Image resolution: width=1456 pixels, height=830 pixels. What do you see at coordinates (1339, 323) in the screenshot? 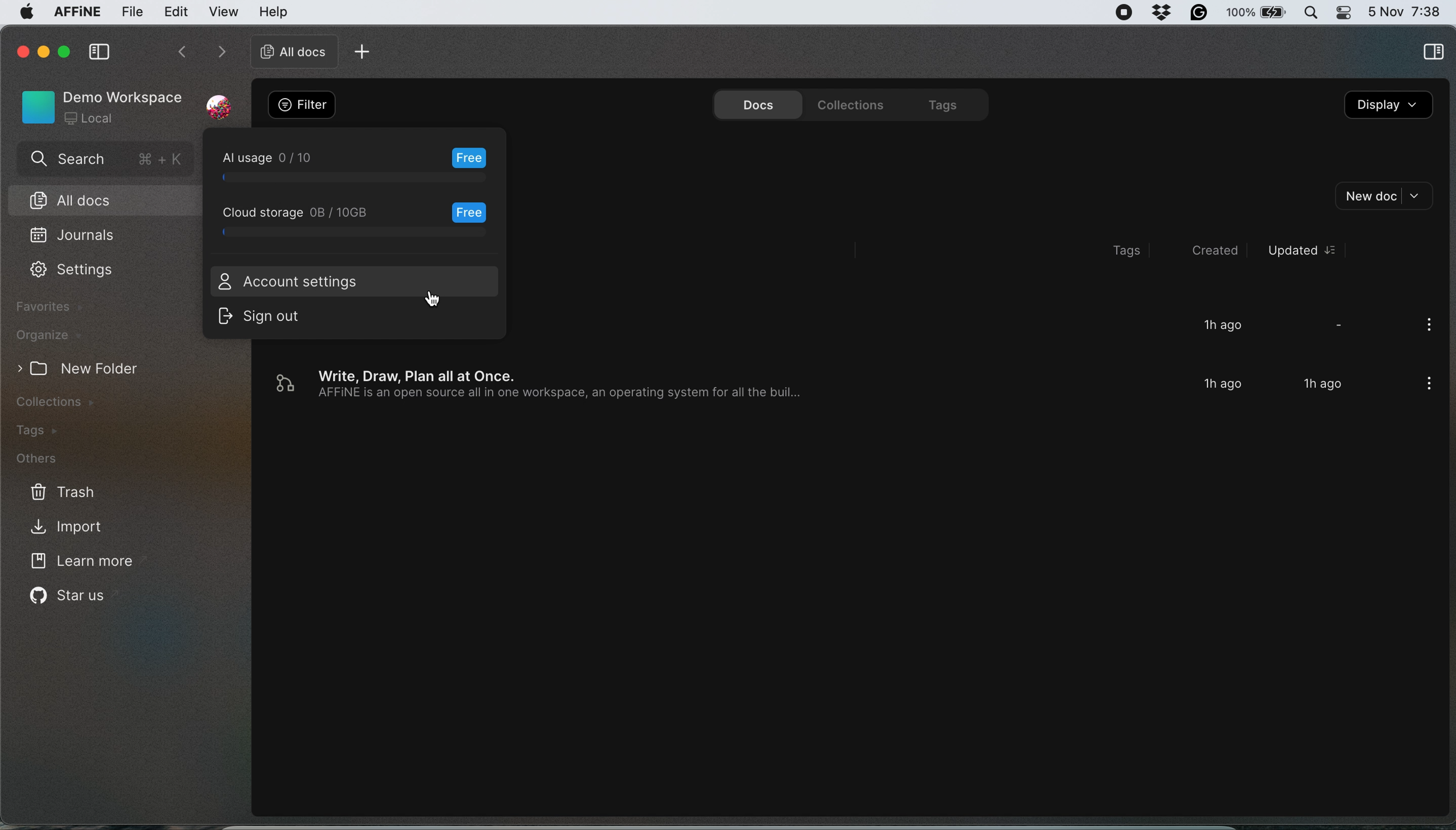
I see `-` at bounding box center [1339, 323].